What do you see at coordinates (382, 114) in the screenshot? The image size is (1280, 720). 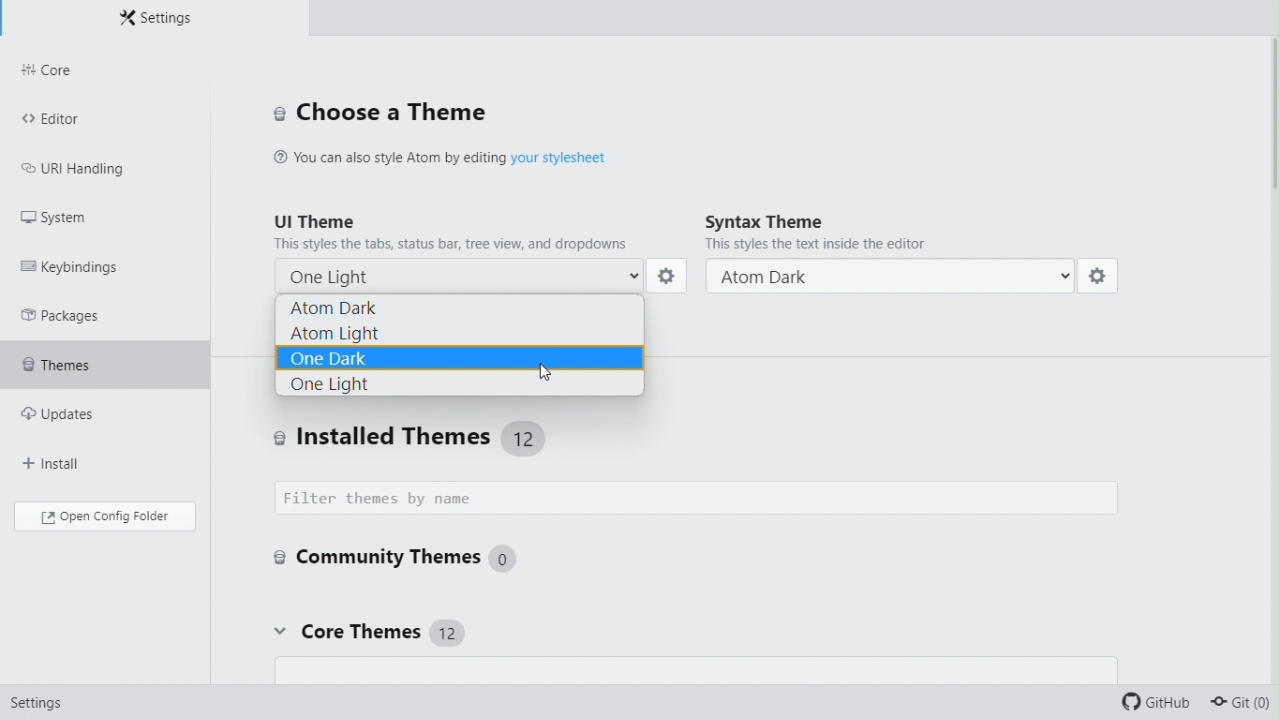 I see `Choose a theme` at bounding box center [382, 114].